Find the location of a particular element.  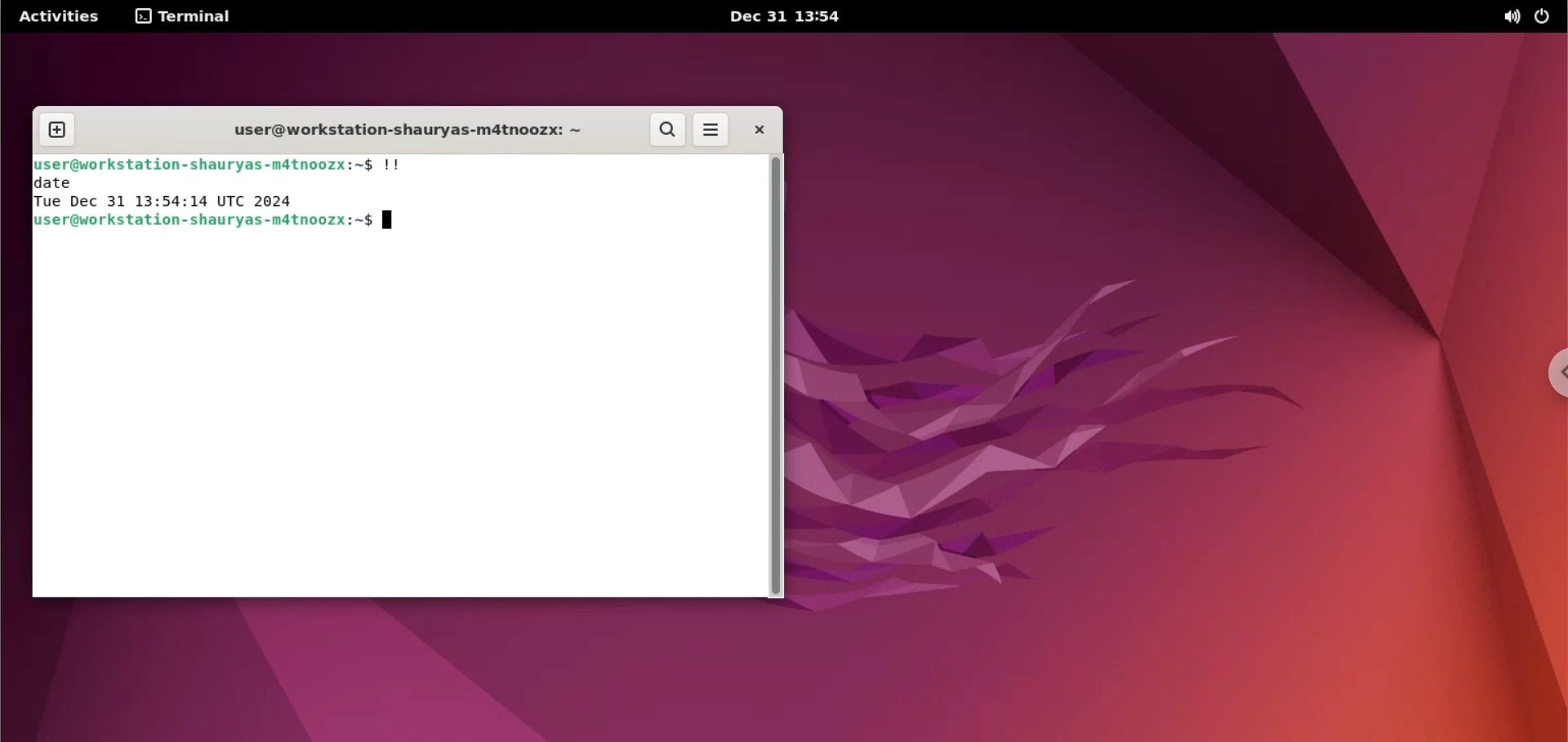

more options is located at coordinates (711, 131).